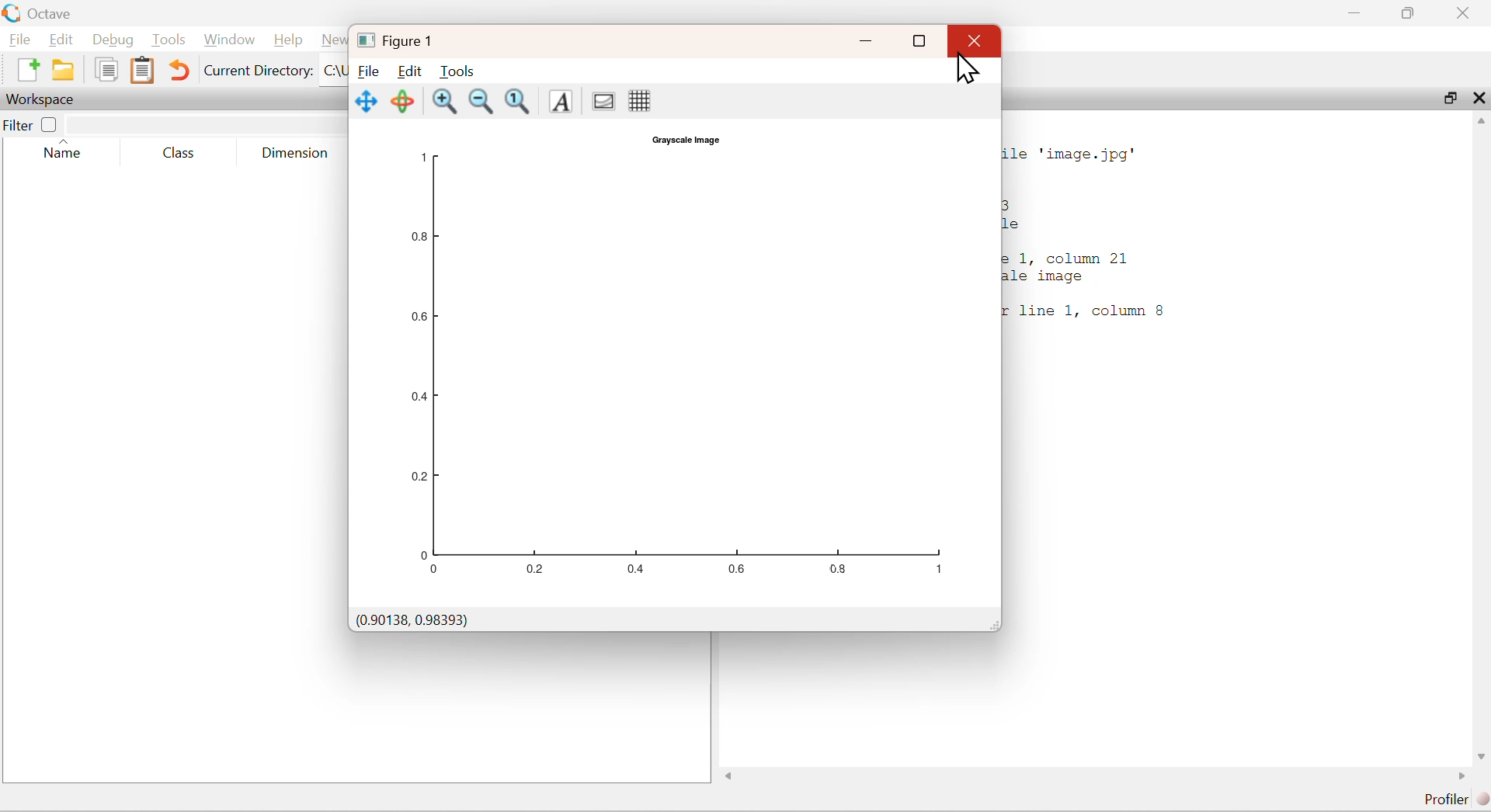 This screenshot has width=1491, height=812. What do you see at coordinates (1460, 779) in the screenshot?
I see `scroll right` at bounding box center [1460, 779].